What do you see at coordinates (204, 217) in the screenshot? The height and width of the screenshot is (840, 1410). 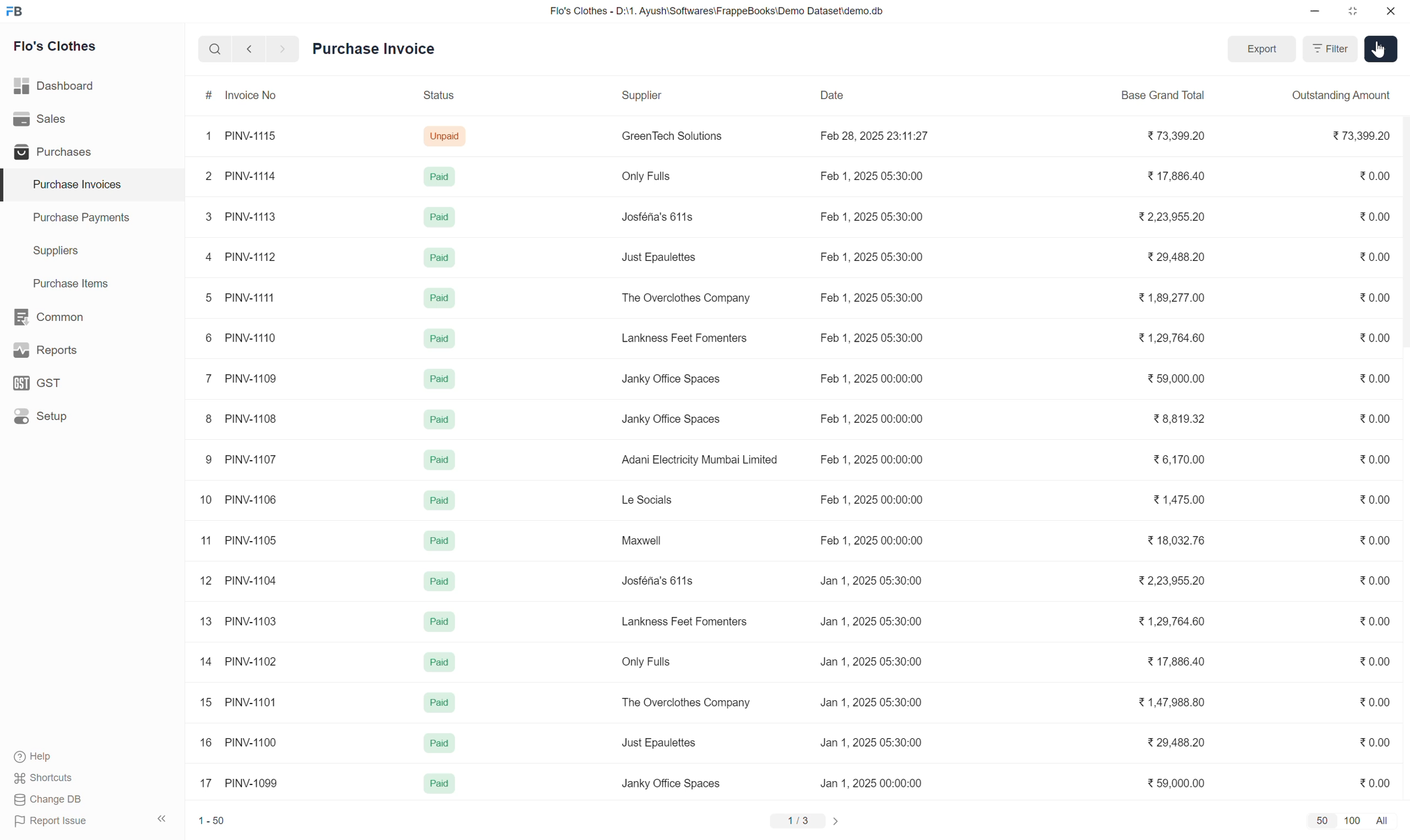 I see `3` at bounding box center [204, 217].